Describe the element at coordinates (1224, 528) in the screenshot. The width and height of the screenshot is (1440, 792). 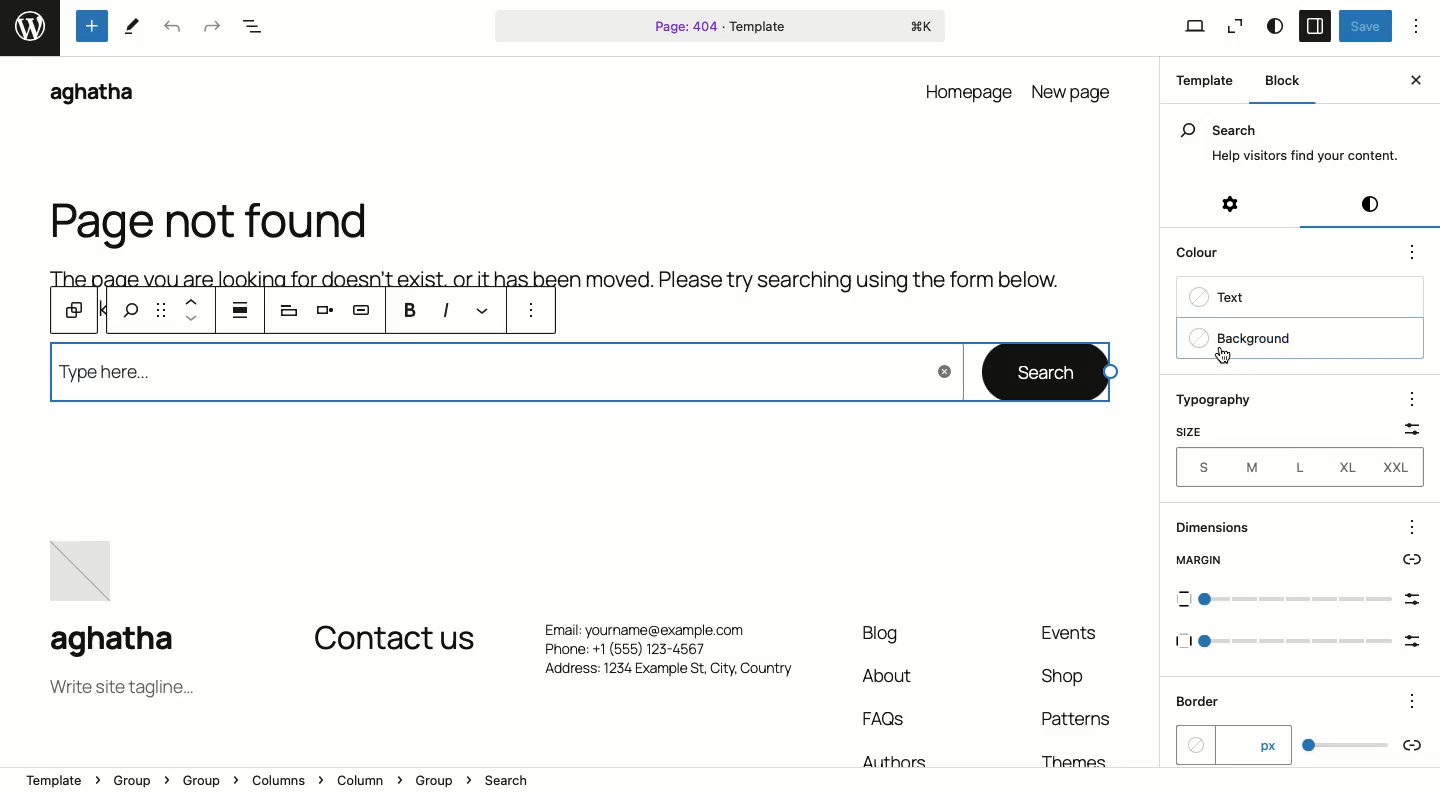
I see `Dimensions` at that location.